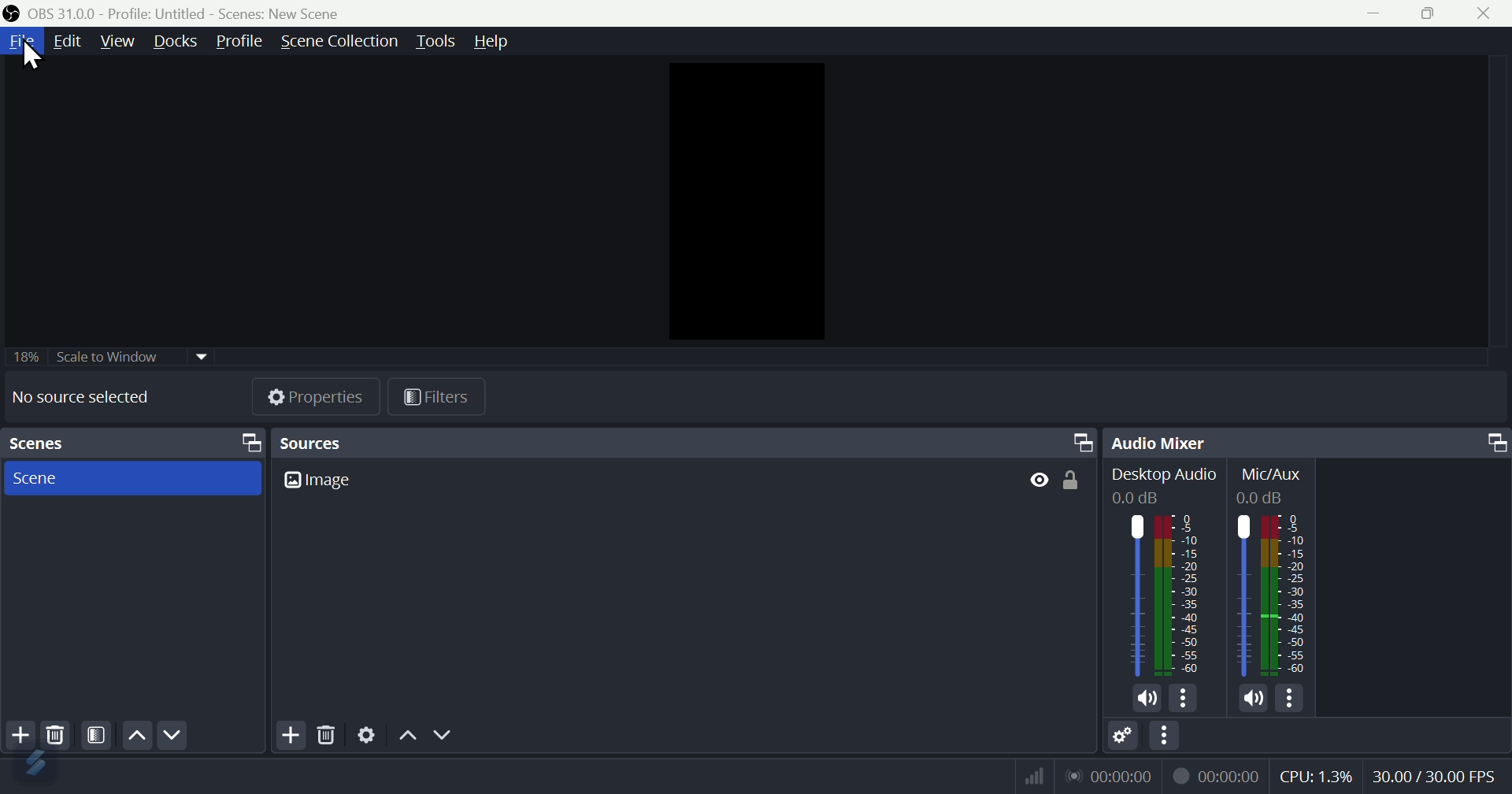  What do you see at coordinates (1380, 13) in the screenshot?
I see `minimise` at bounding box center [1380, 13].